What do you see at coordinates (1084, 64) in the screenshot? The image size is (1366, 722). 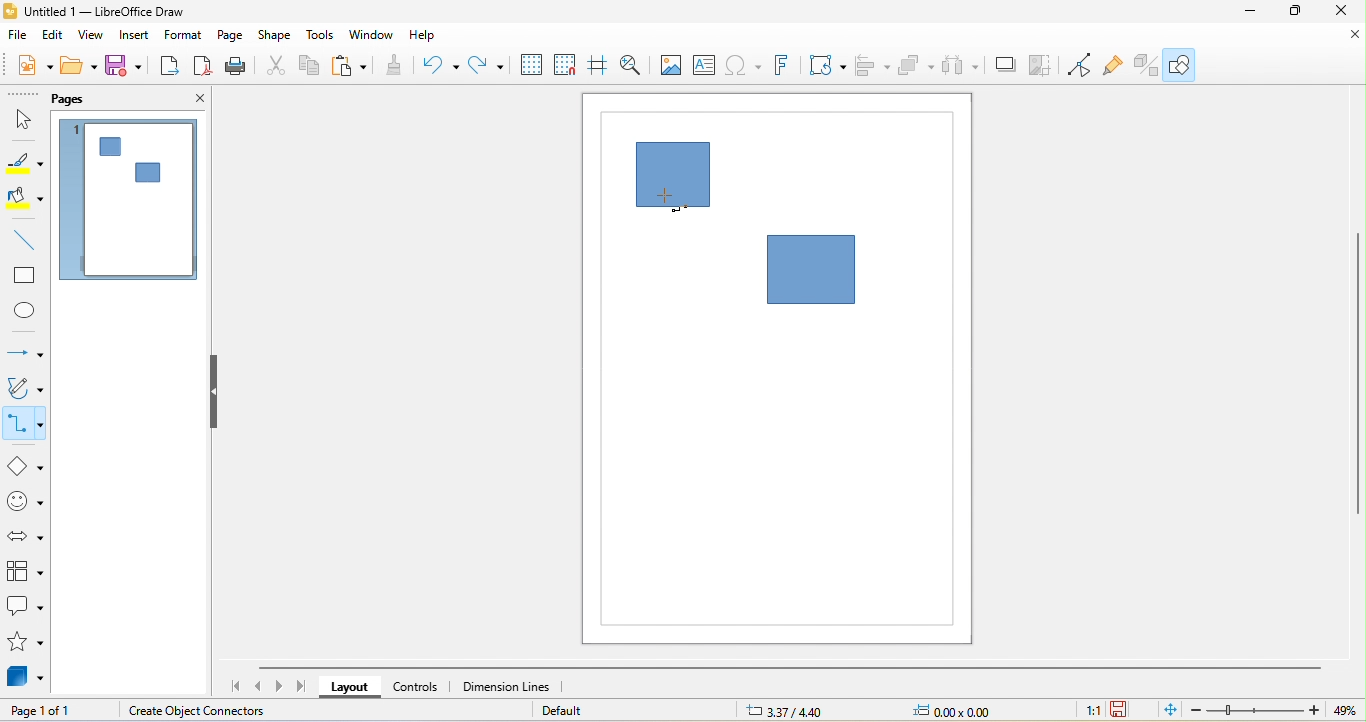 I see `toggle point edit mode` at bounding box center [1084, 64].